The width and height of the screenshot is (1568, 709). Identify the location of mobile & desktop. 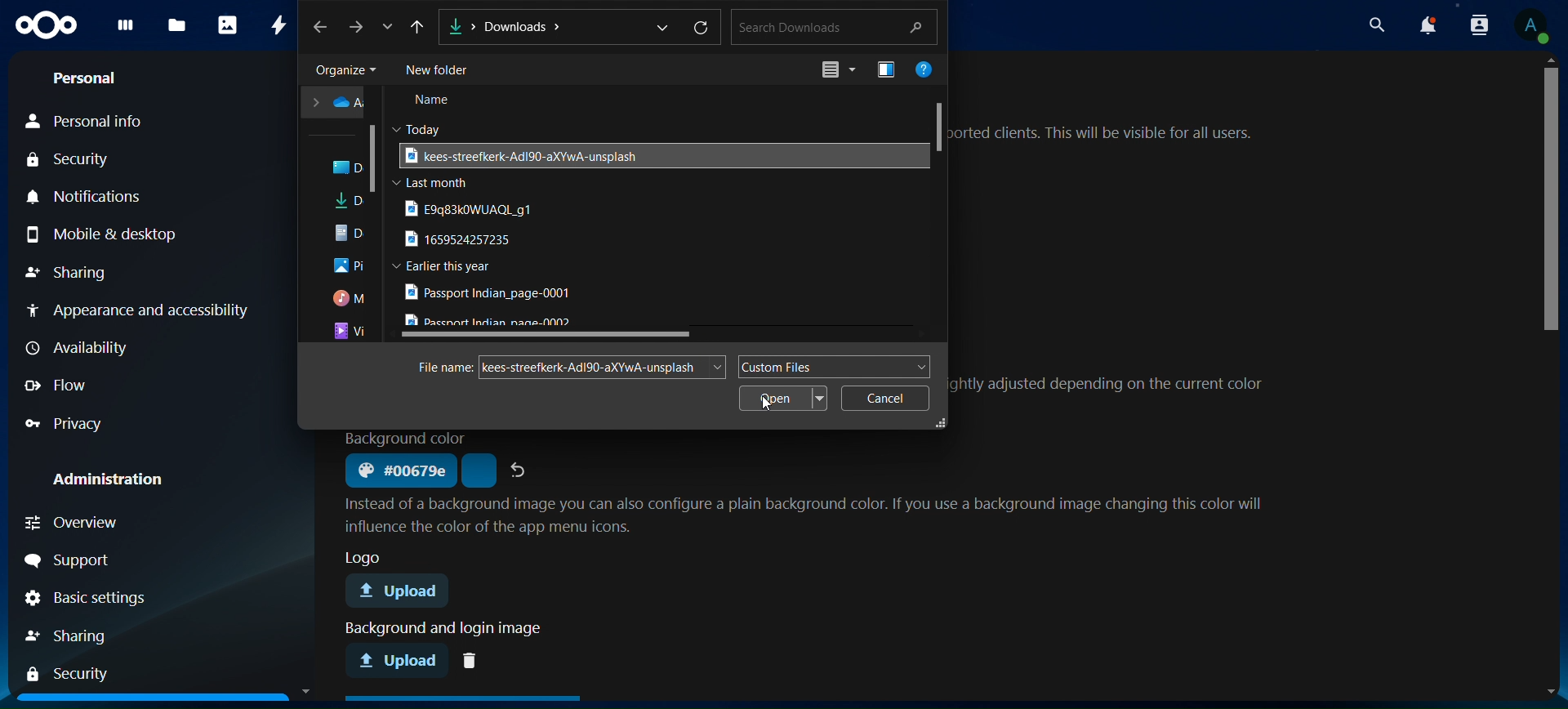
(126, 234).